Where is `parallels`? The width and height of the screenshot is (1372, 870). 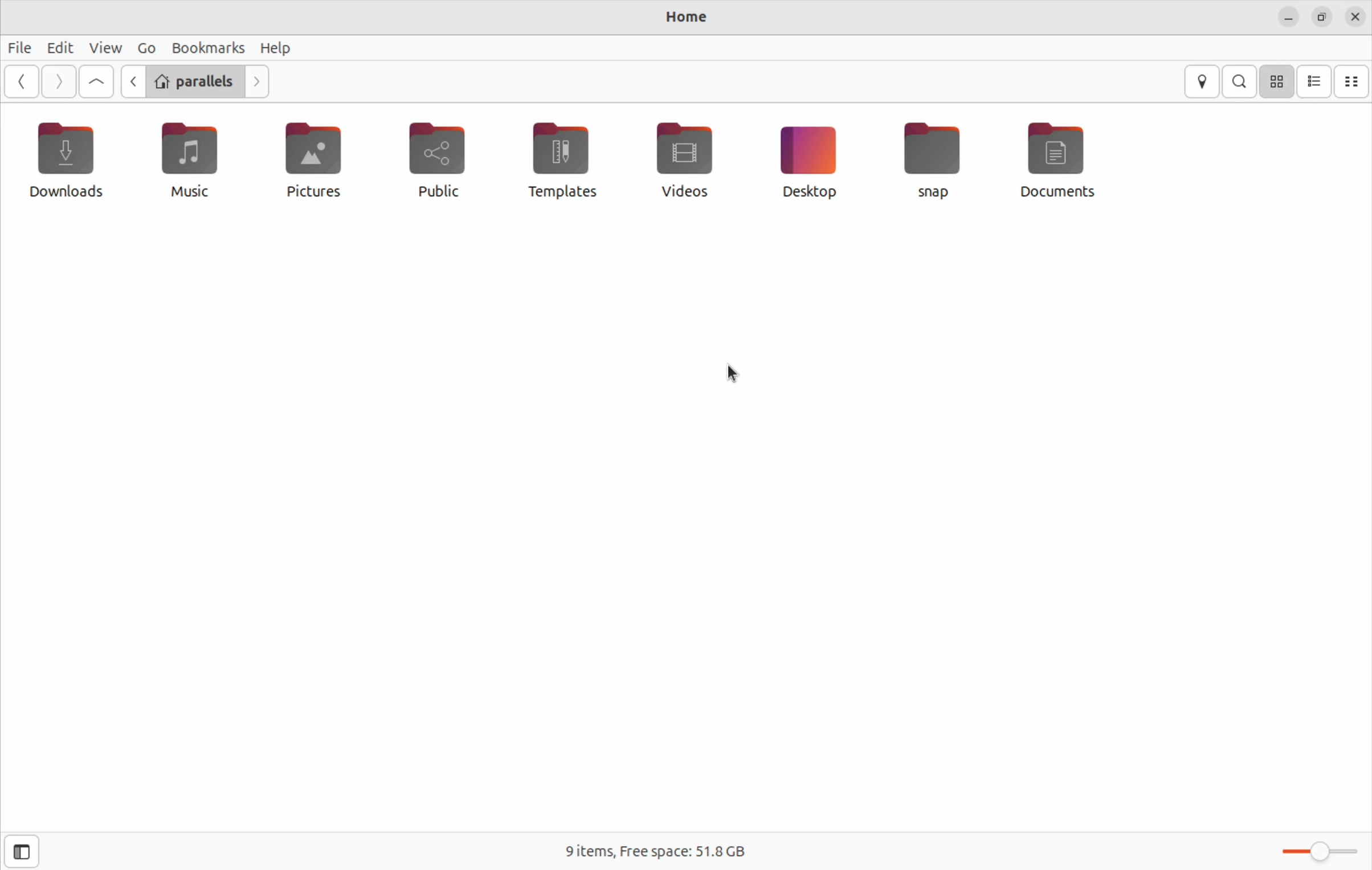 parallels is located at coordinates (193, 80).